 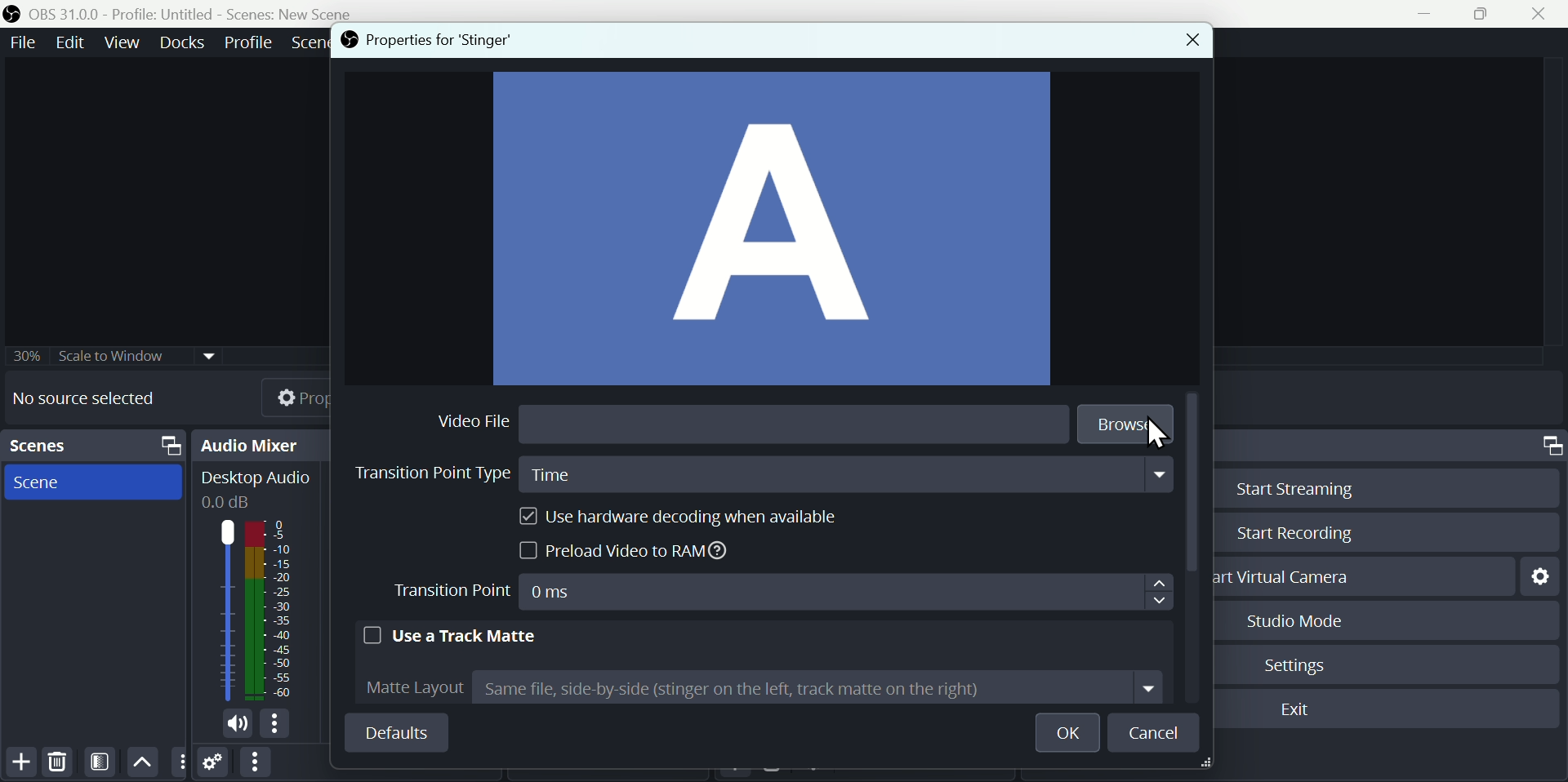 I want to click on Start streaming, so click(x=1288, y=487).